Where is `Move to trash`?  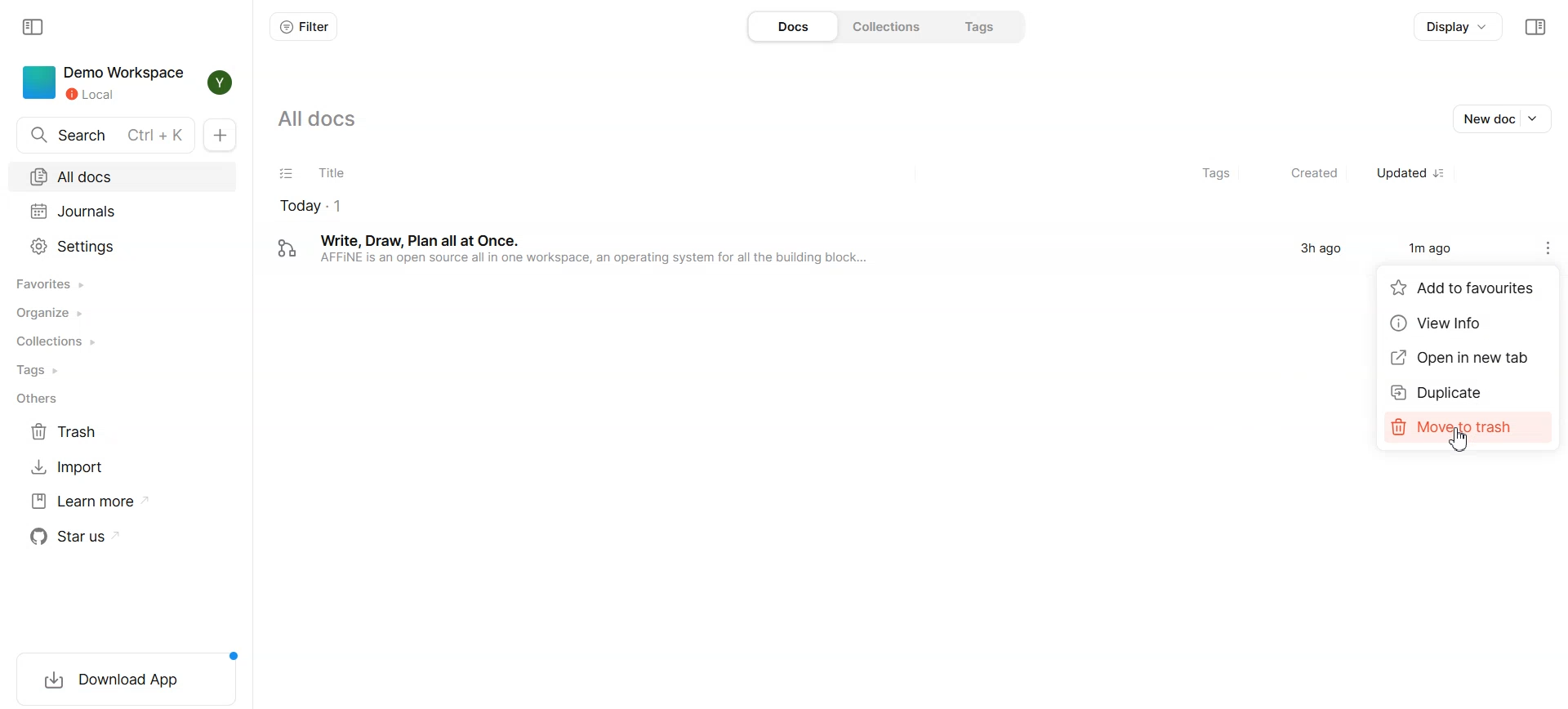
Move to trash is located at coordinates (1470, 426).